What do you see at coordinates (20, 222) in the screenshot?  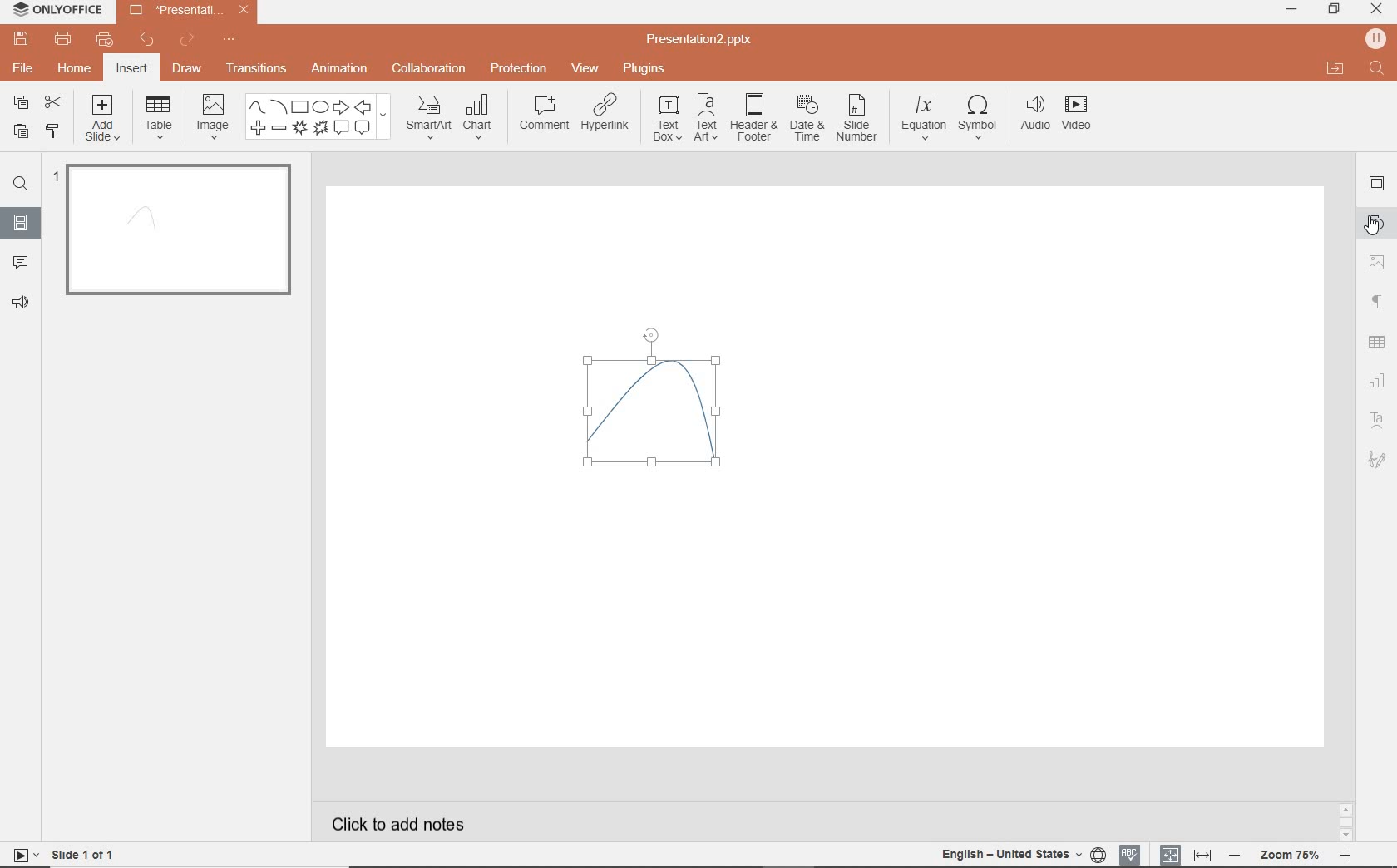 I see `SLIDES` at bounding box center [20, 222].